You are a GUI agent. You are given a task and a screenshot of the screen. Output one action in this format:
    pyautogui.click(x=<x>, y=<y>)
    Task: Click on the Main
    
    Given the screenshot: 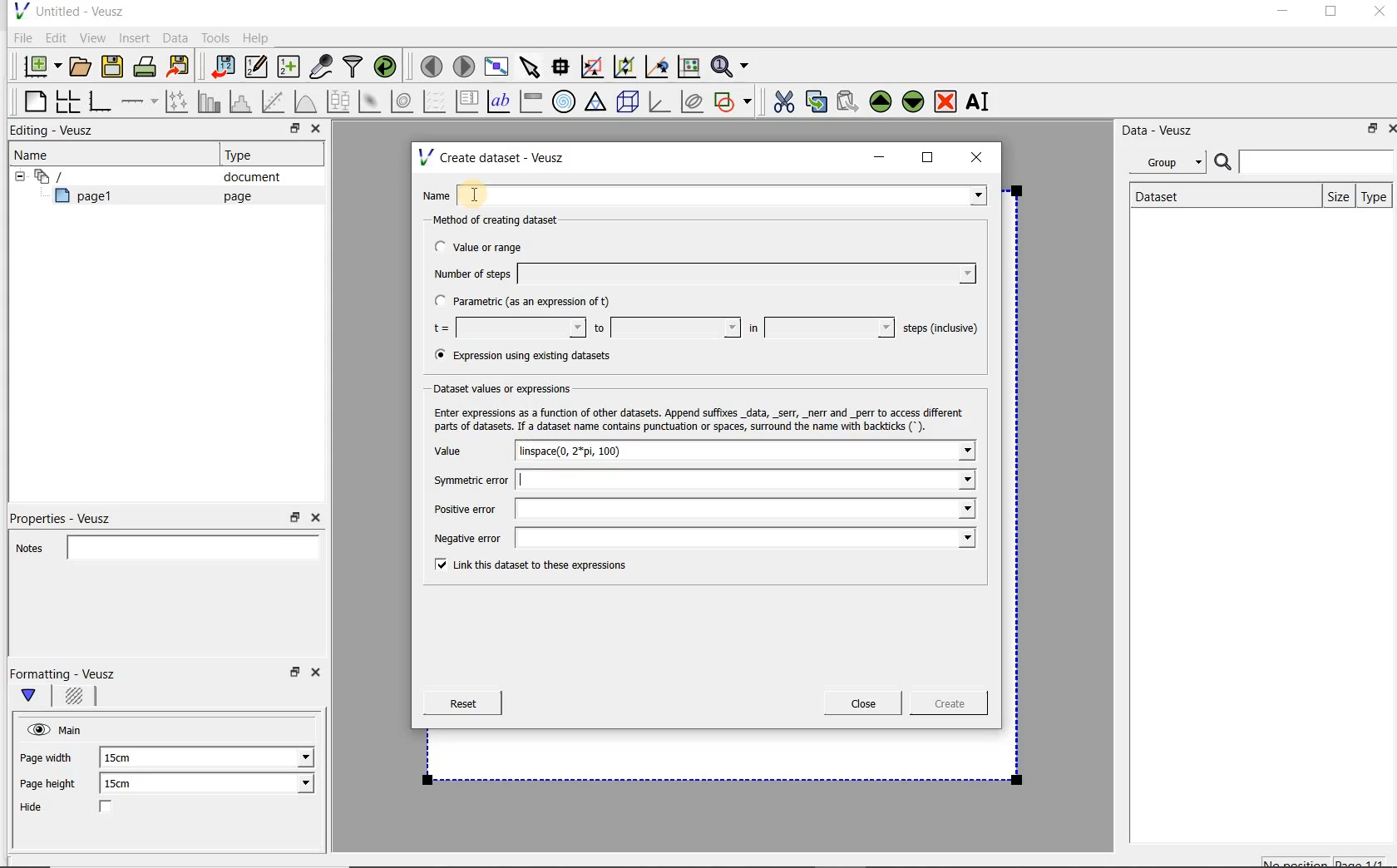 What is the action you would take?
    pyautogui.click(x=73, y=728)
    